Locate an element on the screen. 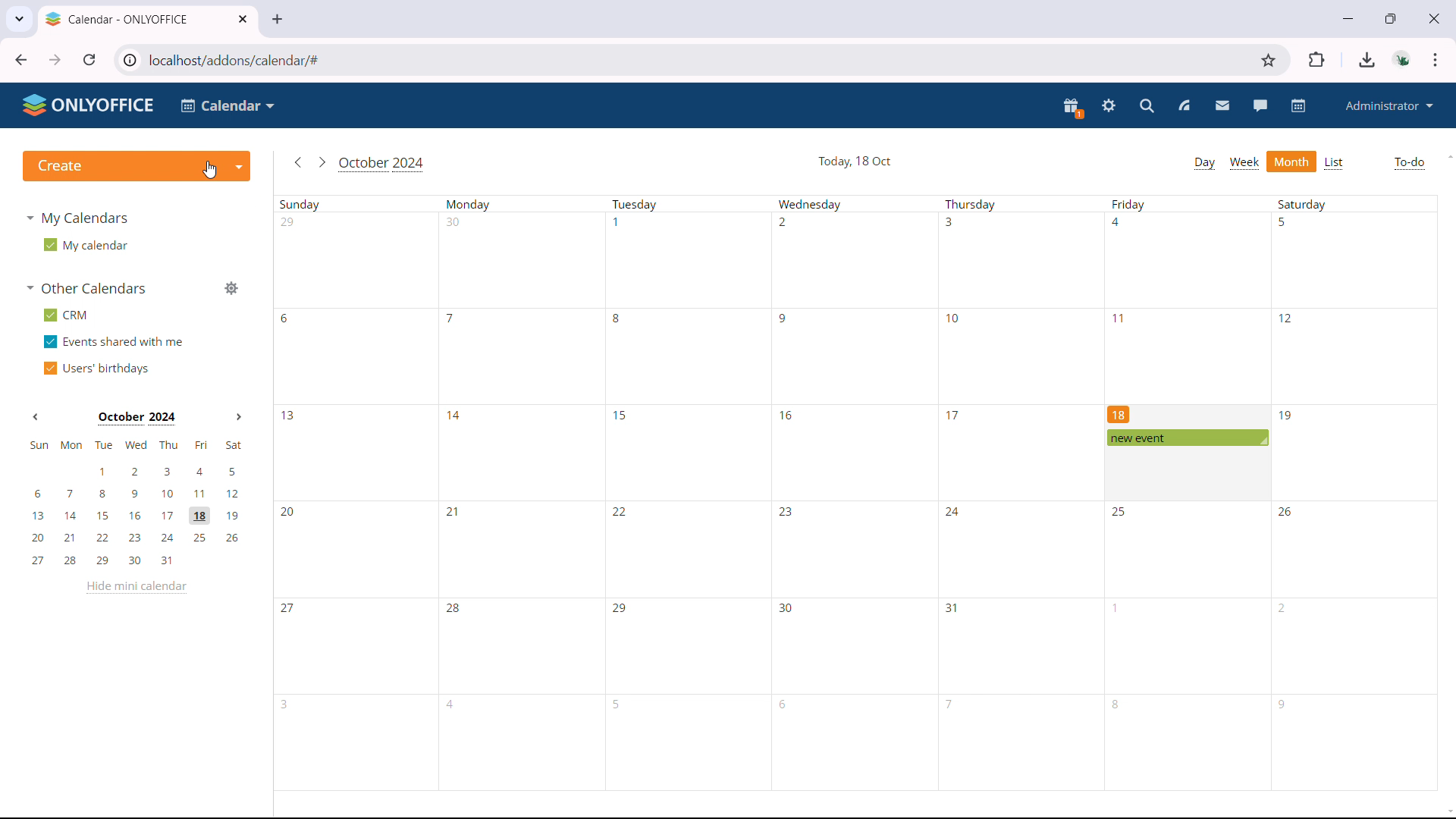 This screenshot has width=1456, height=819. settings is located at coordinates (1109, 107).